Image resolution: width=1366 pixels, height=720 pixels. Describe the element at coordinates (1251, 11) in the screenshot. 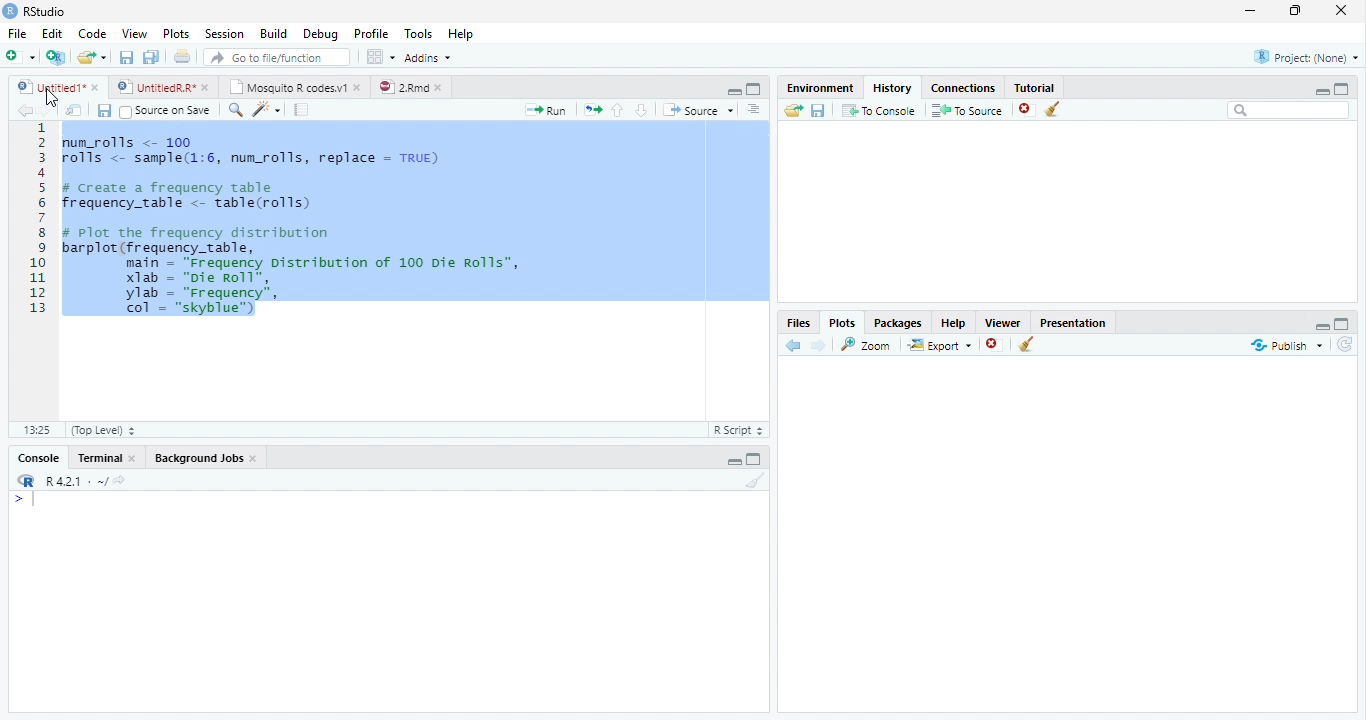

I see `Minimize` at that location.